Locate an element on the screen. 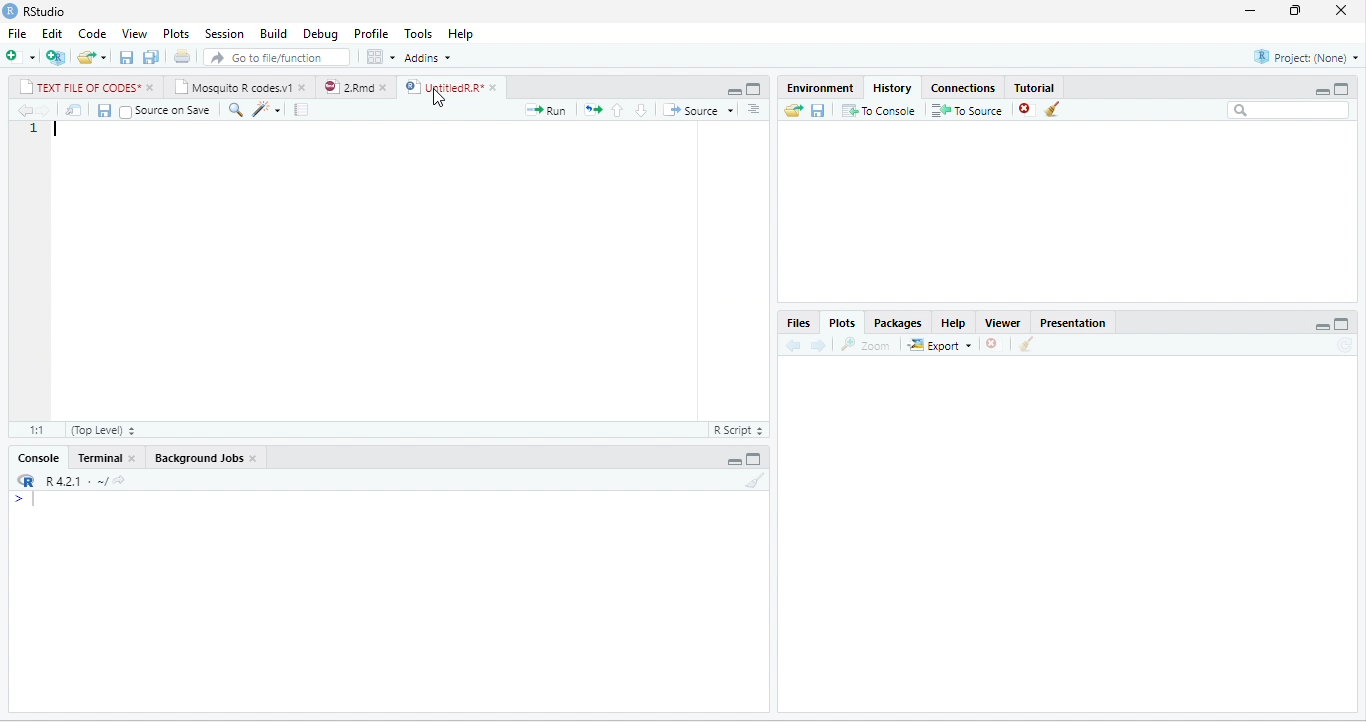 The width and height of the screenshot is (1366, 722). logo is located at coordinates (11, 10).